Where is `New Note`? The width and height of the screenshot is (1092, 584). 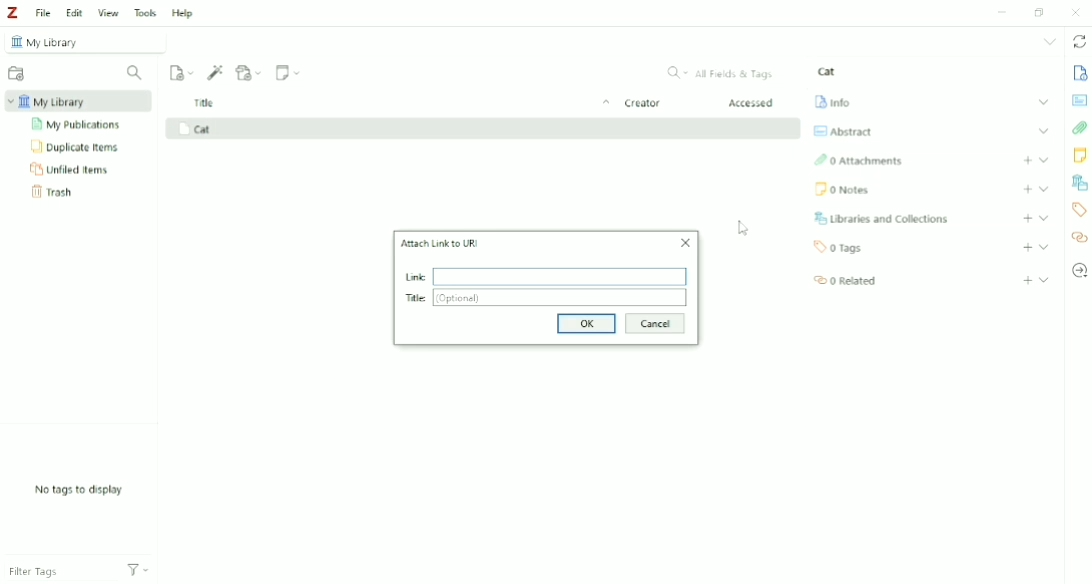 New Note is located at coordinates (289, 72).